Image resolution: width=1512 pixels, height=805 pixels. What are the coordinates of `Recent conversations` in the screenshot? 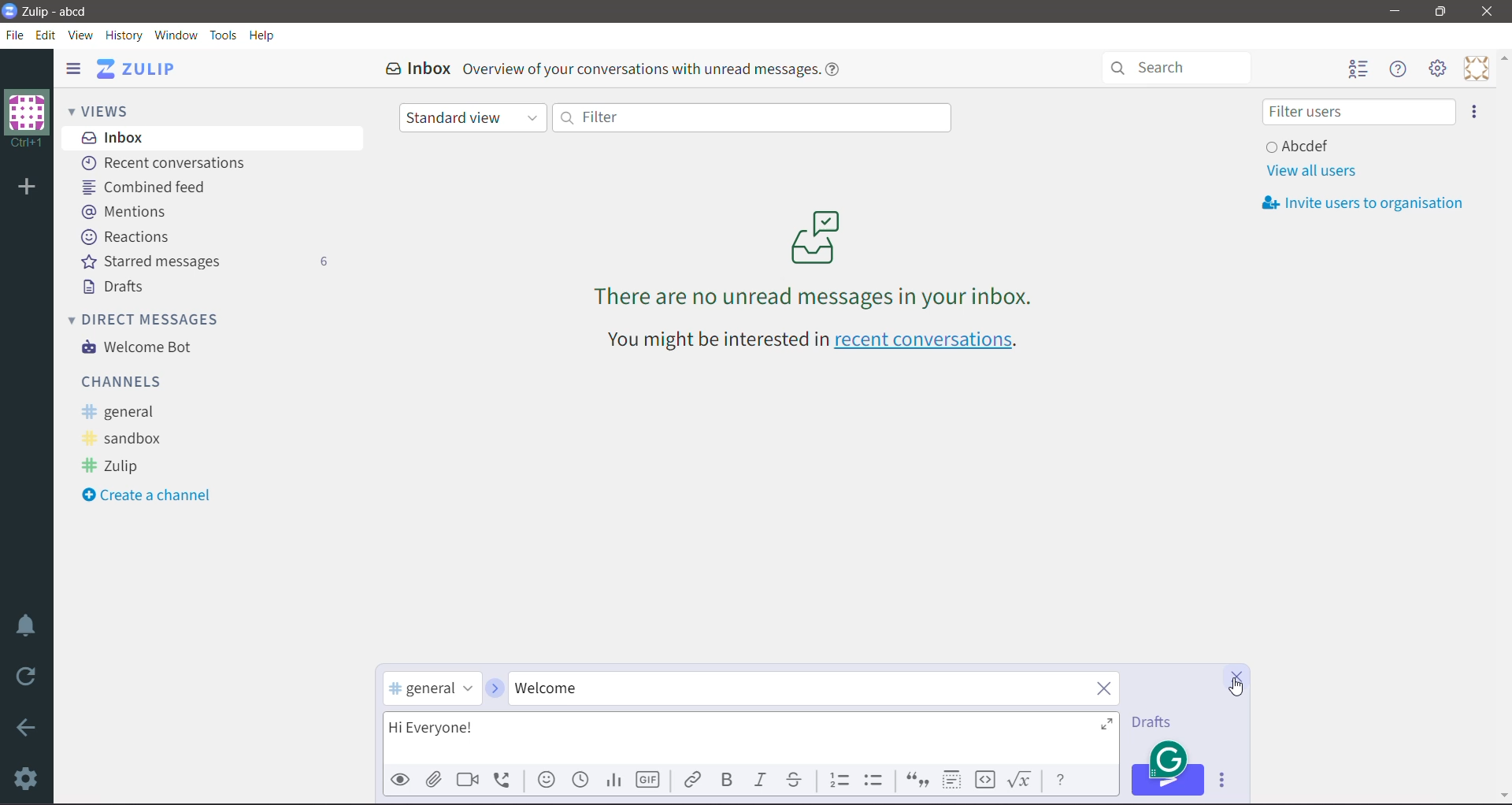 It's located at (169, 164).